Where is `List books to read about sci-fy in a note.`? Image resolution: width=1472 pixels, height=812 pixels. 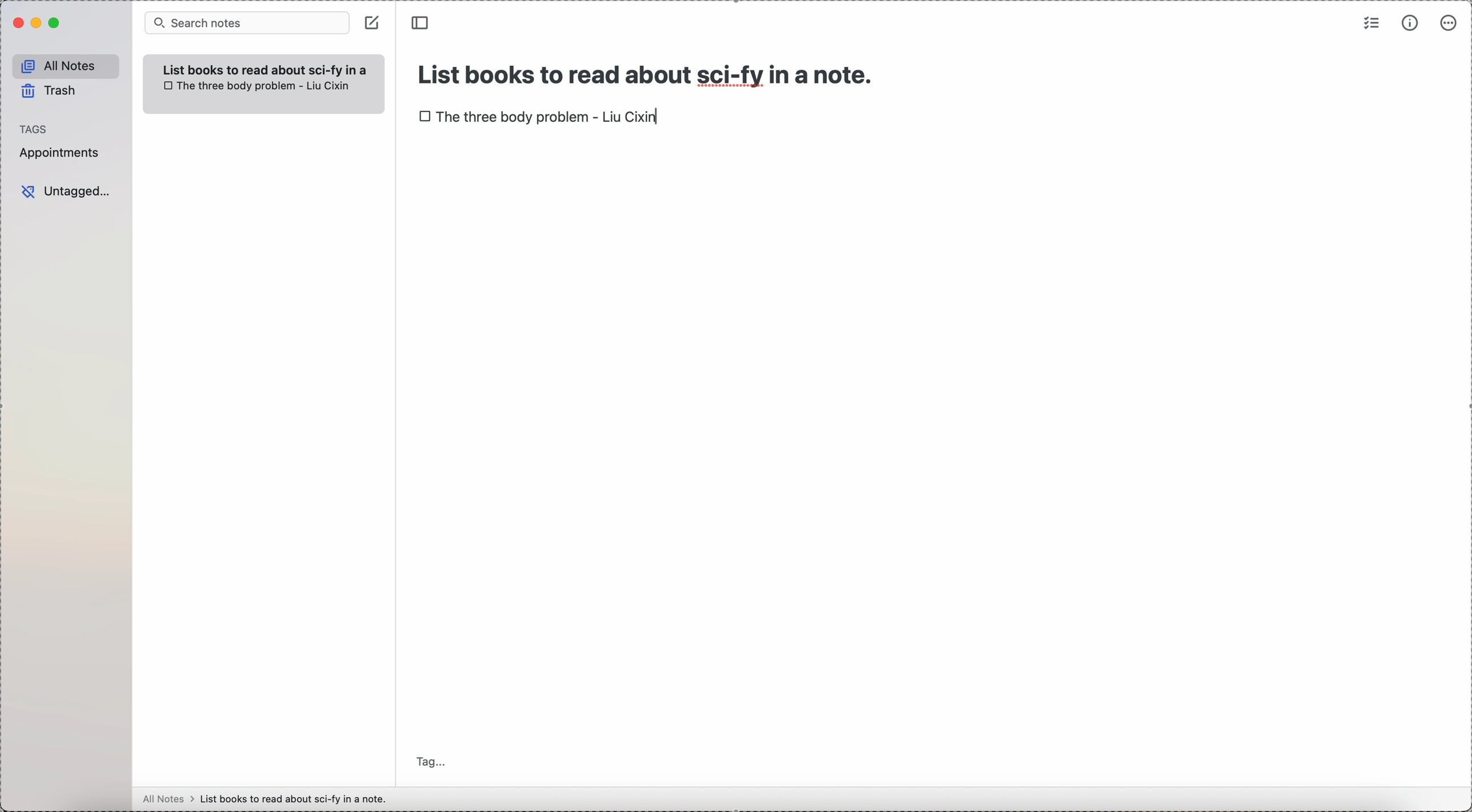
List books to read about sci-fy in a note. is located at coordinates (270, 67).